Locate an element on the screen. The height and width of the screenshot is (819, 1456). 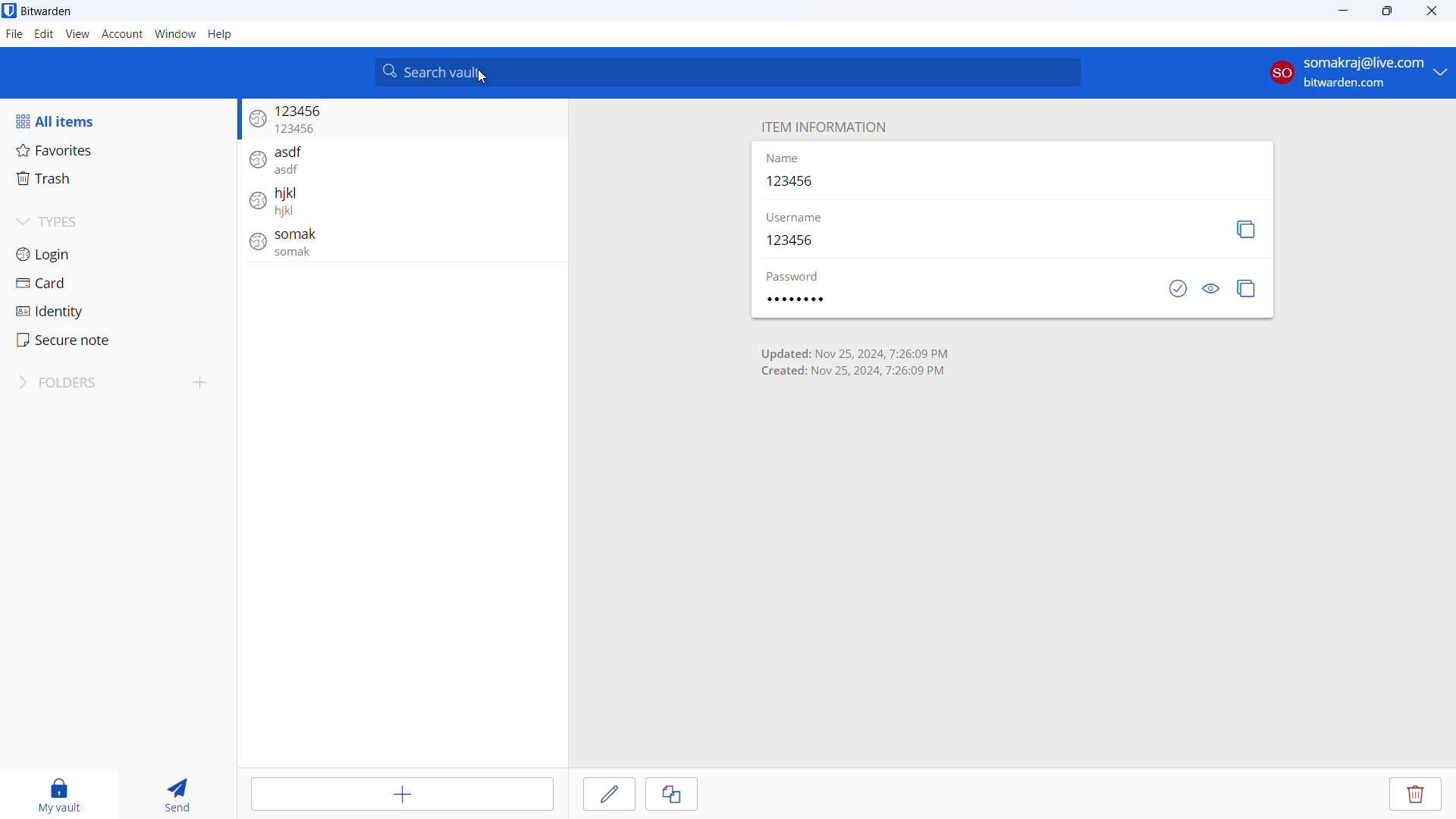
maximize is located at coordinates (1387, 11).